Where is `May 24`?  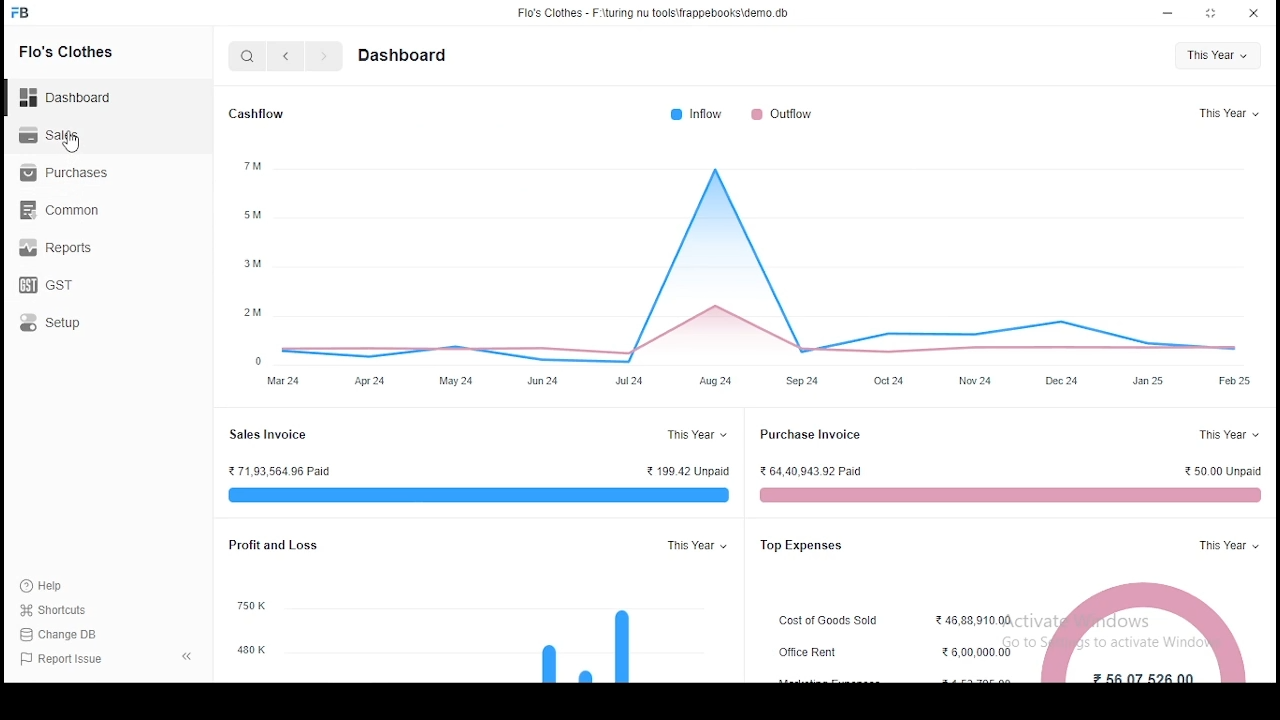 May 24 is located at coordinates (457, 381).